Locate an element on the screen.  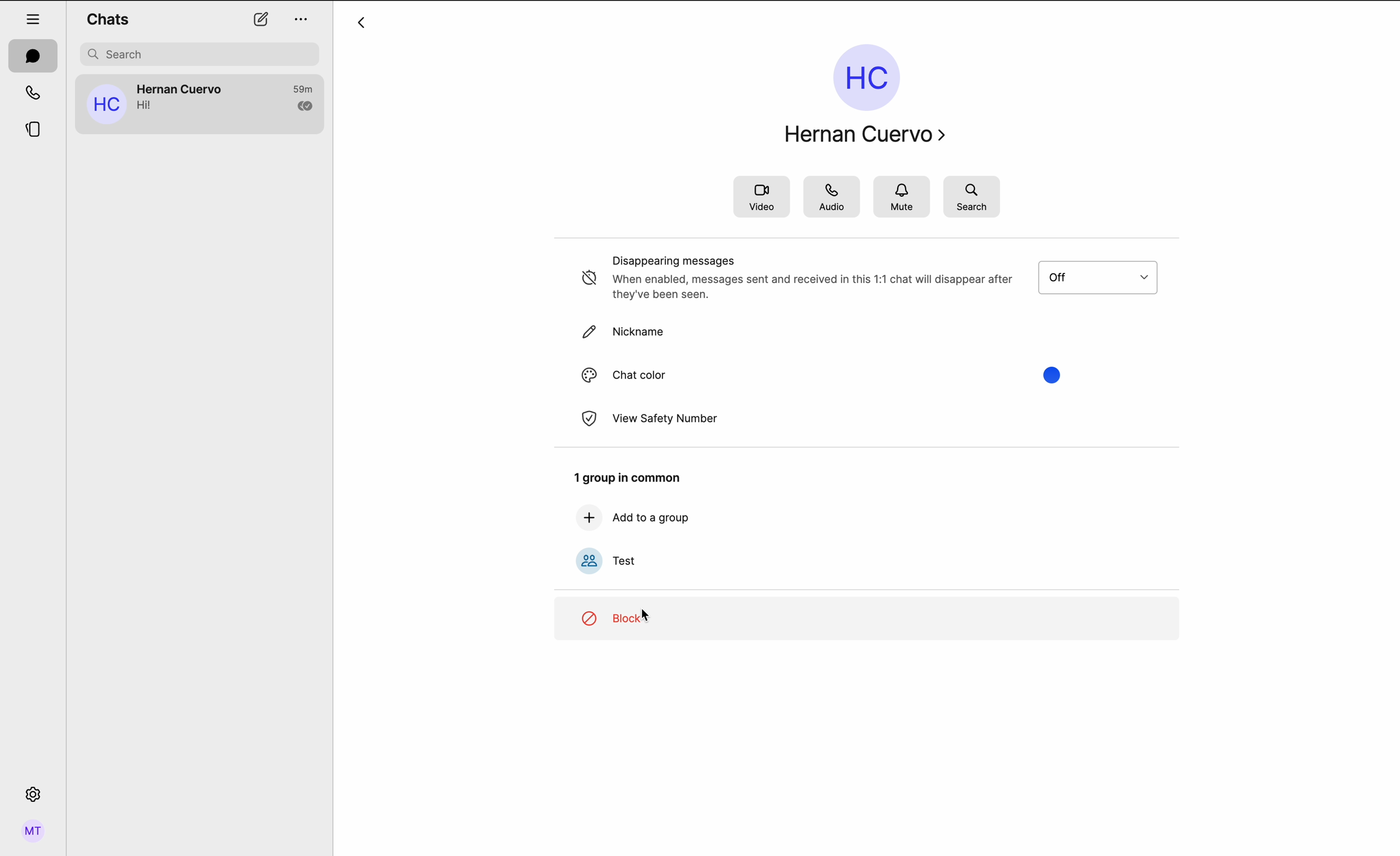
video is located at coordinates (761, 196).